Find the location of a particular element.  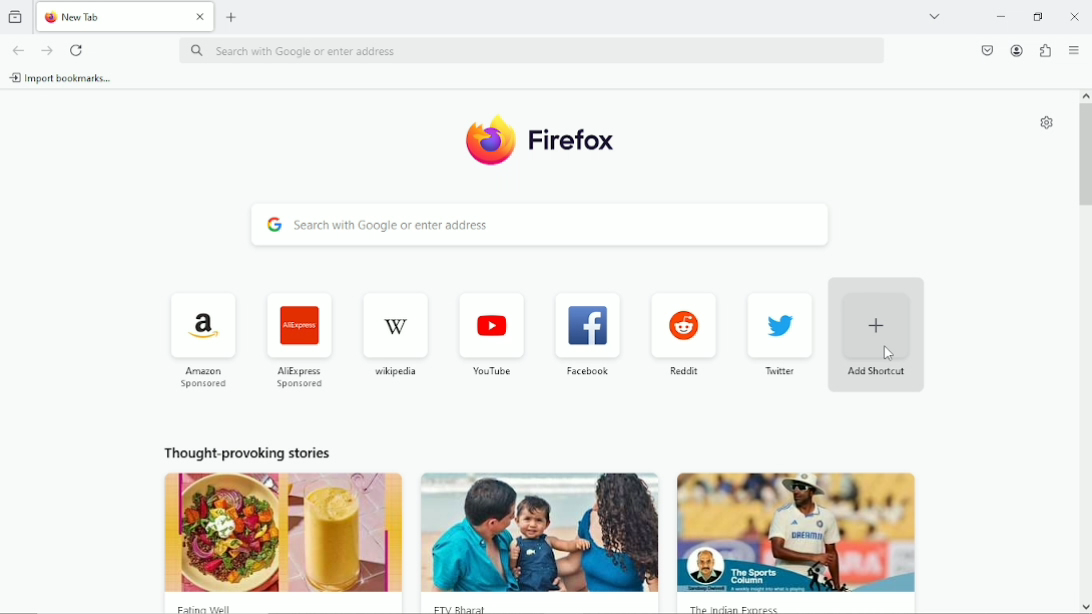

facebook is located at coordinates (588, 333).